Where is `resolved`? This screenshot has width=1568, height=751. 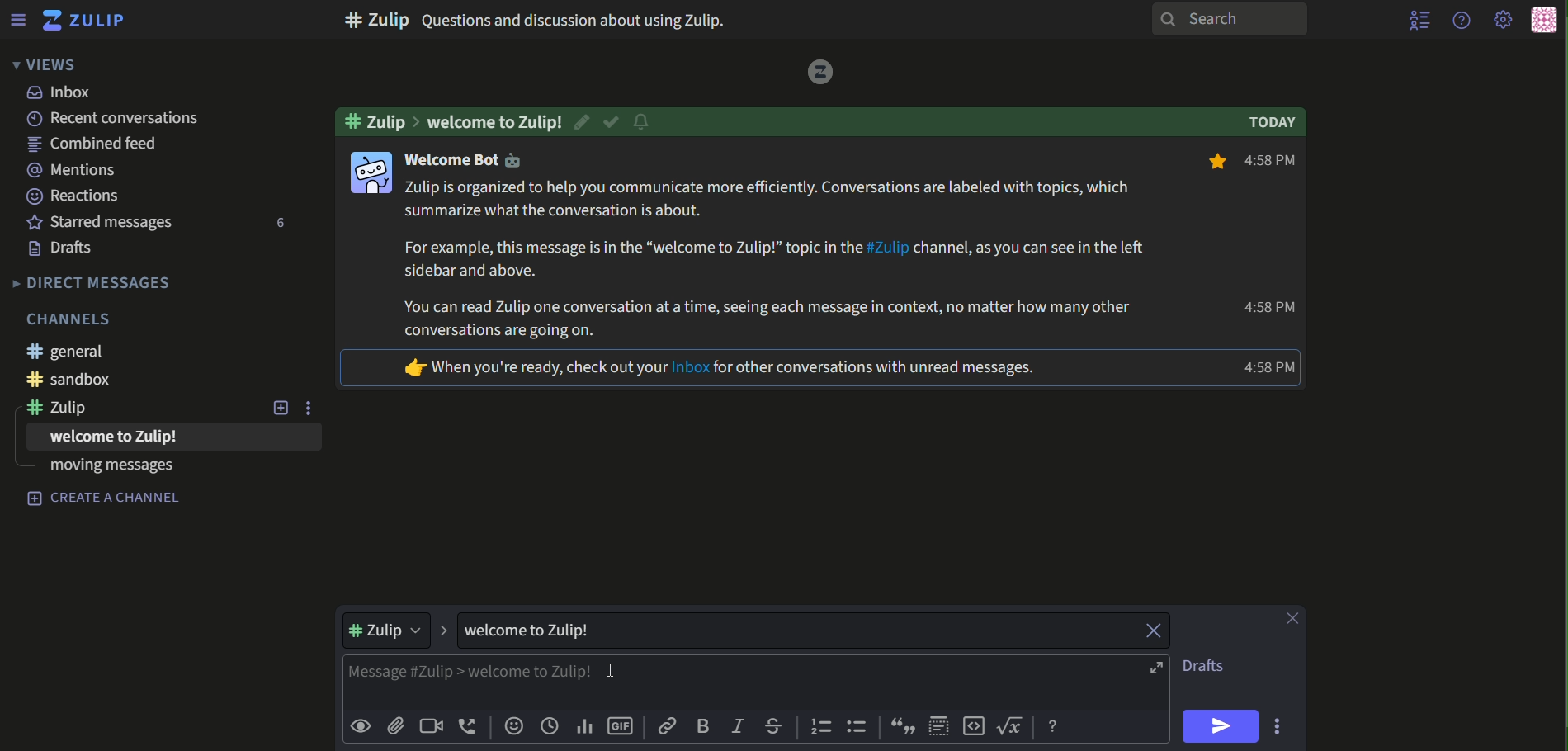
resolved is located at coordinates (612, 122).